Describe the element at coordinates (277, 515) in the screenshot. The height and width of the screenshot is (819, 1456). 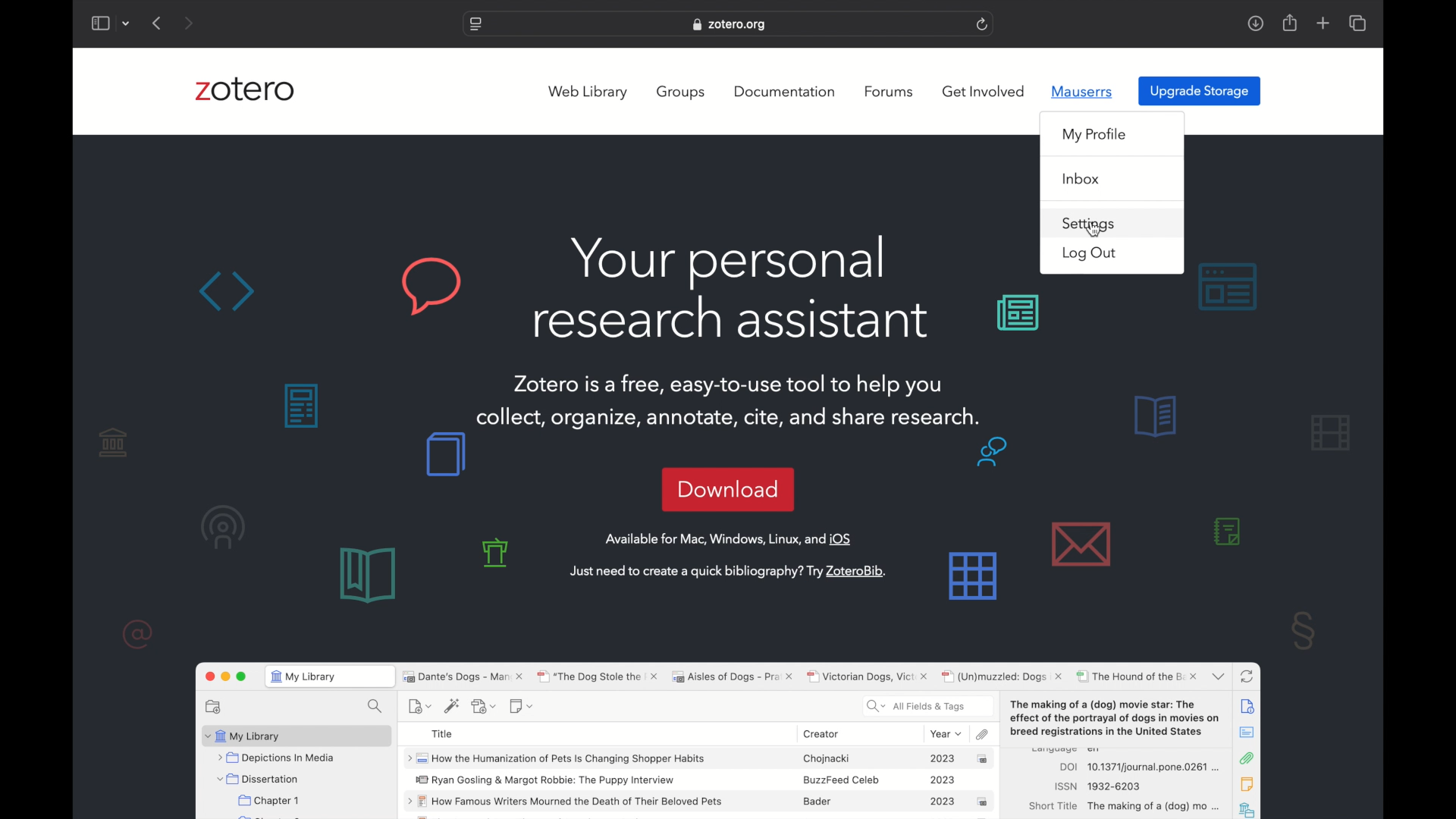
I see `background graphics` at that location.